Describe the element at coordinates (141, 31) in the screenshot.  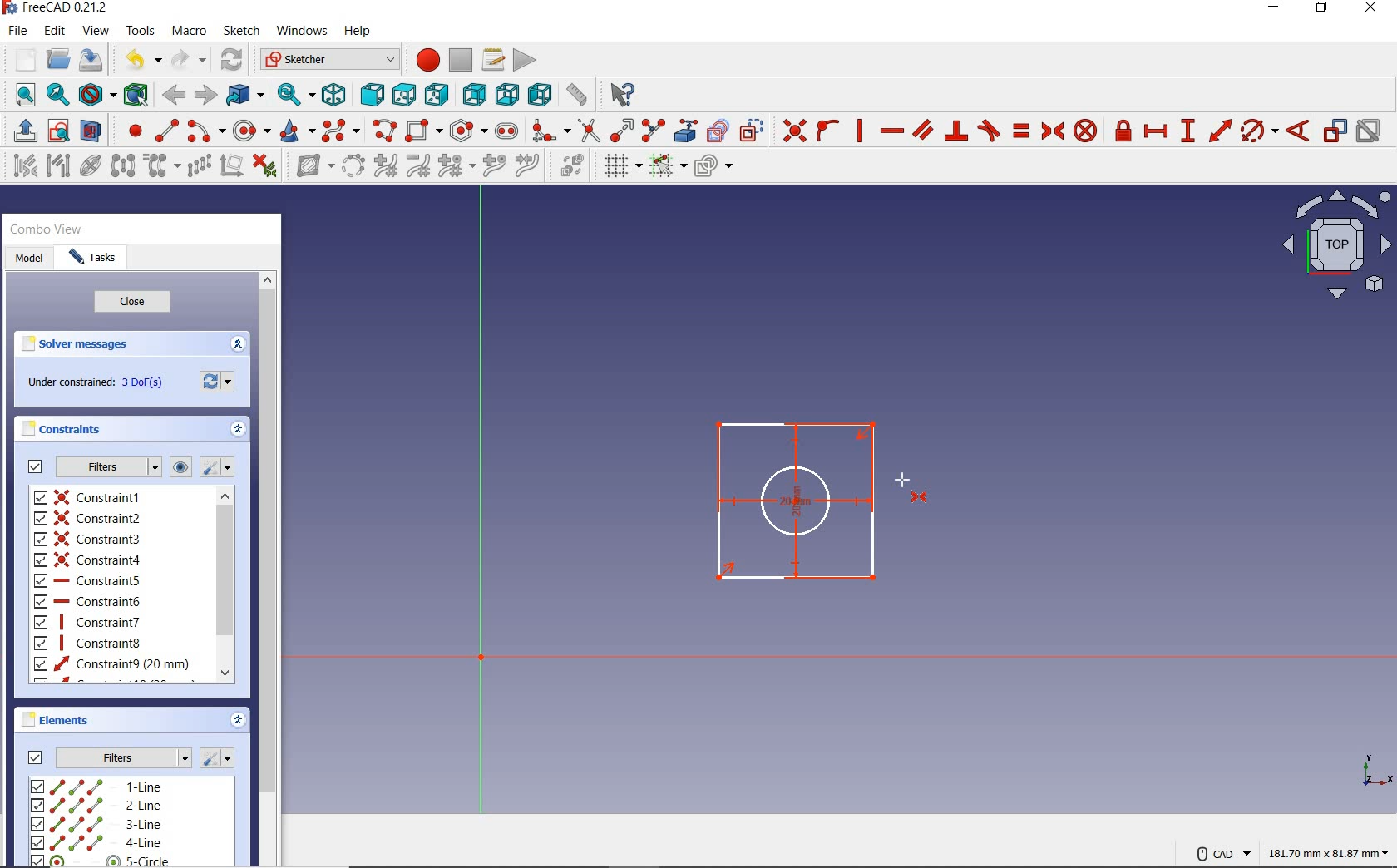
I see `tools` at that location.